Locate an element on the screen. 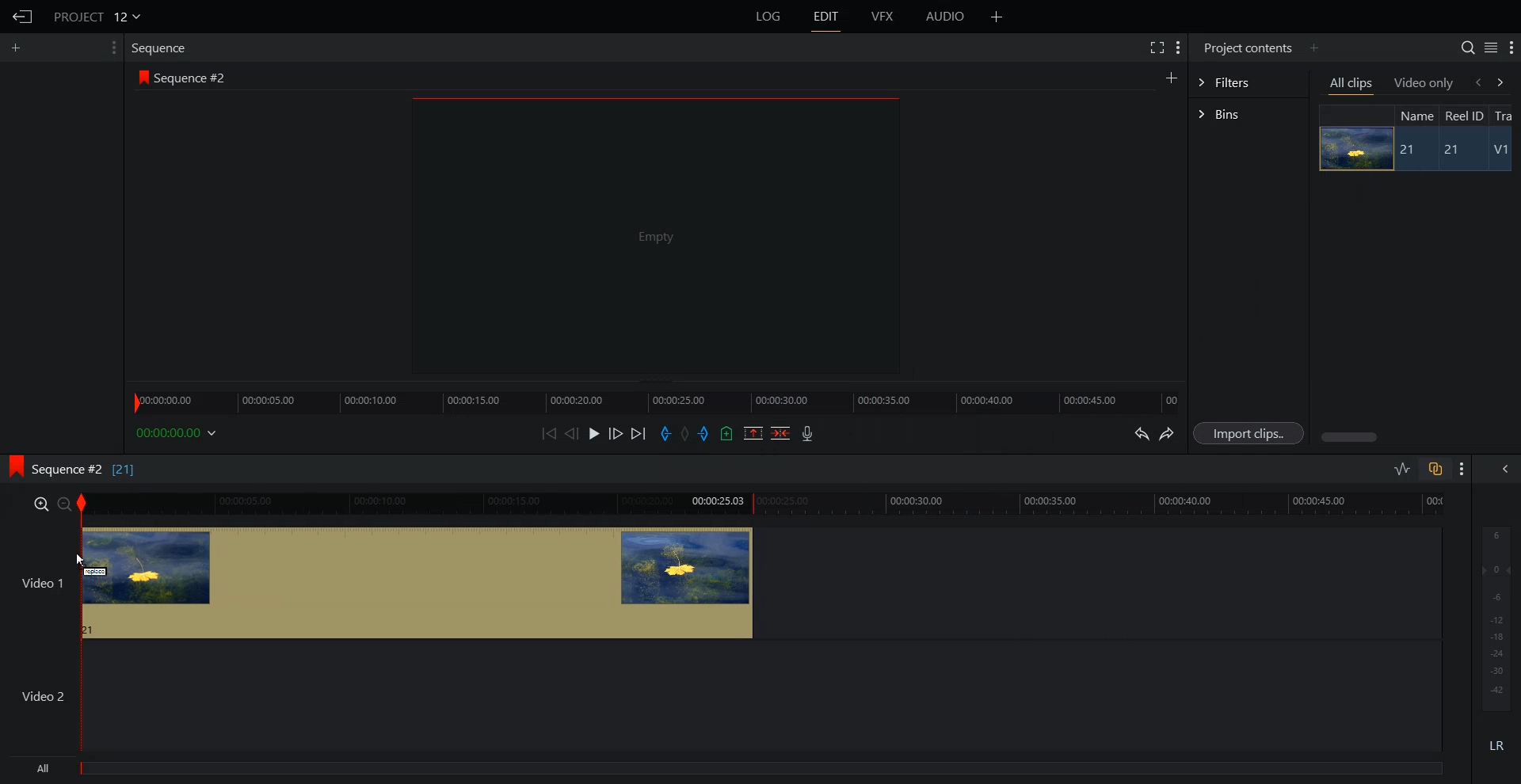 The image size is (1521, 784). Audio output level is located at coordinates (1493, 616).